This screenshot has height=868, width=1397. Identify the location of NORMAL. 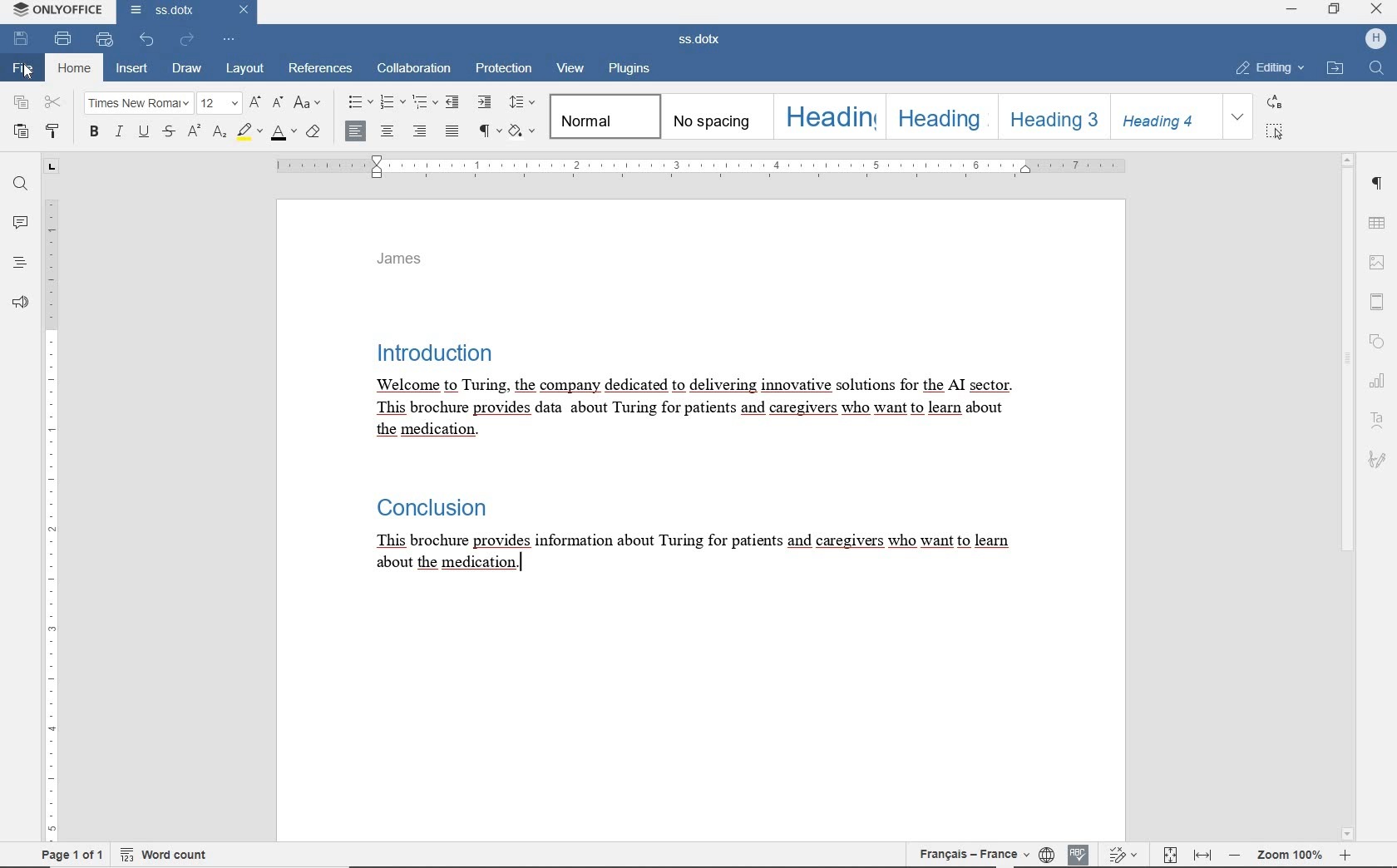
(602, 117).